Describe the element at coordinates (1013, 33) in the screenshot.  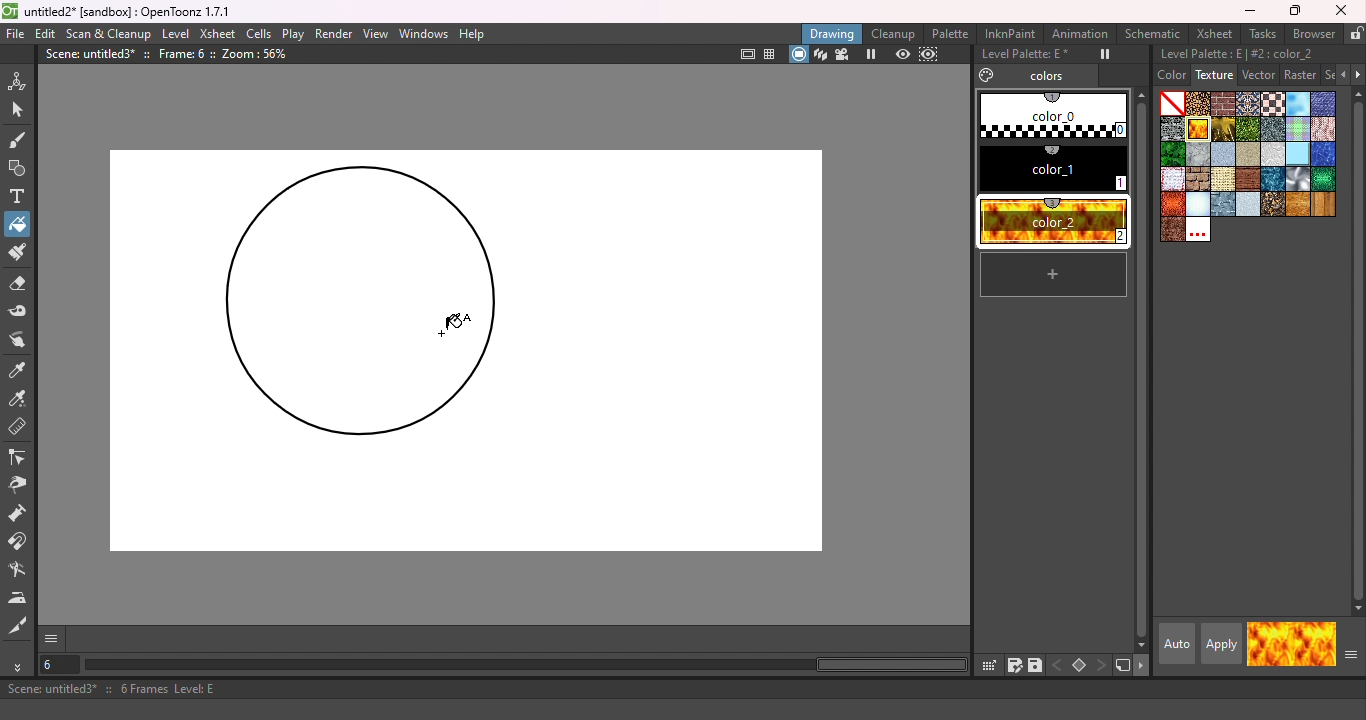
I see `InknPaint` at that location.